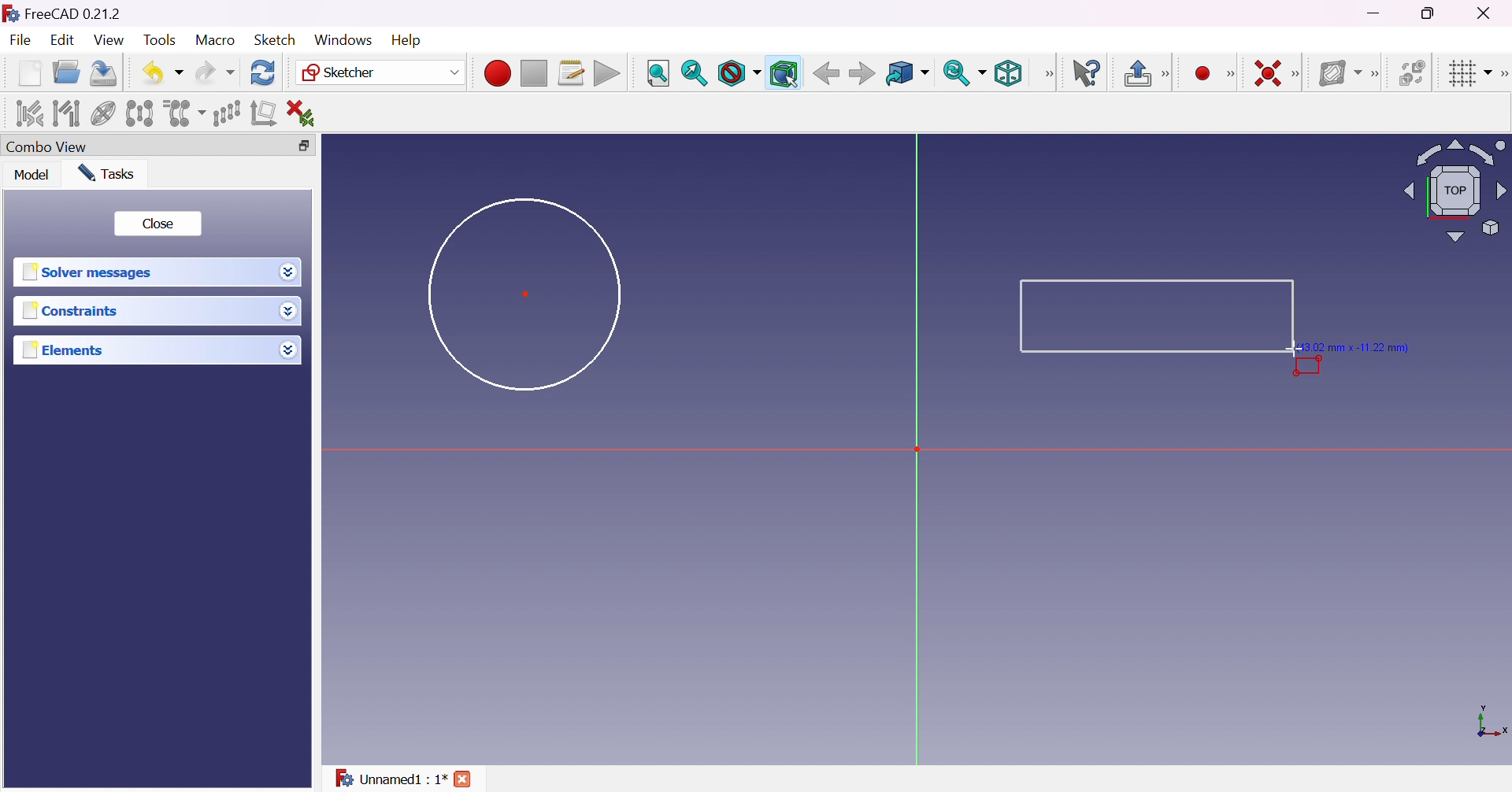  Describe the element at coordinates (157, 224) in the screenshot. I see `Close` at that location.